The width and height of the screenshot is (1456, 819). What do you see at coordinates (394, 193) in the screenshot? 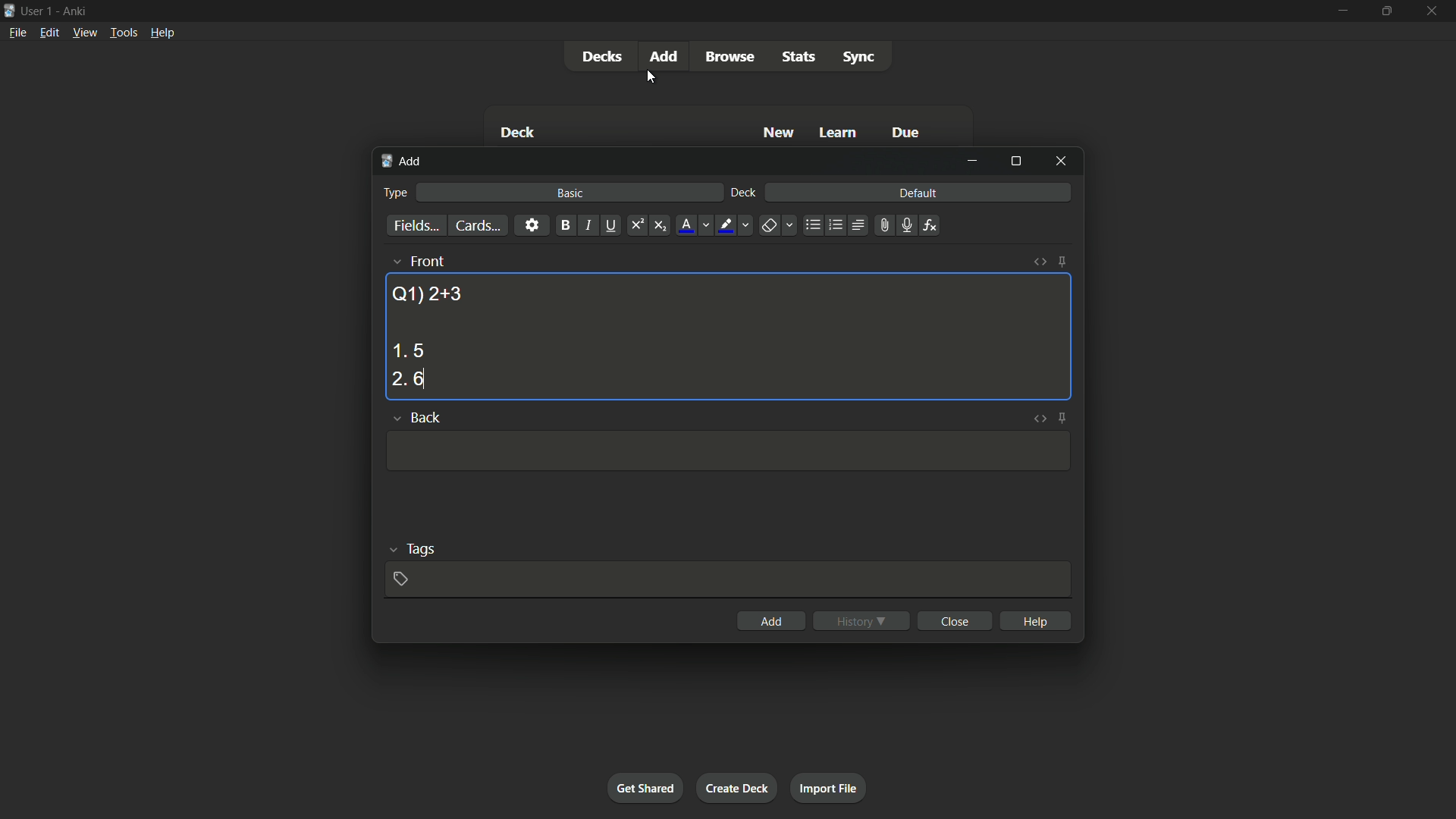
I see `type` at bounding box center [394, 193].